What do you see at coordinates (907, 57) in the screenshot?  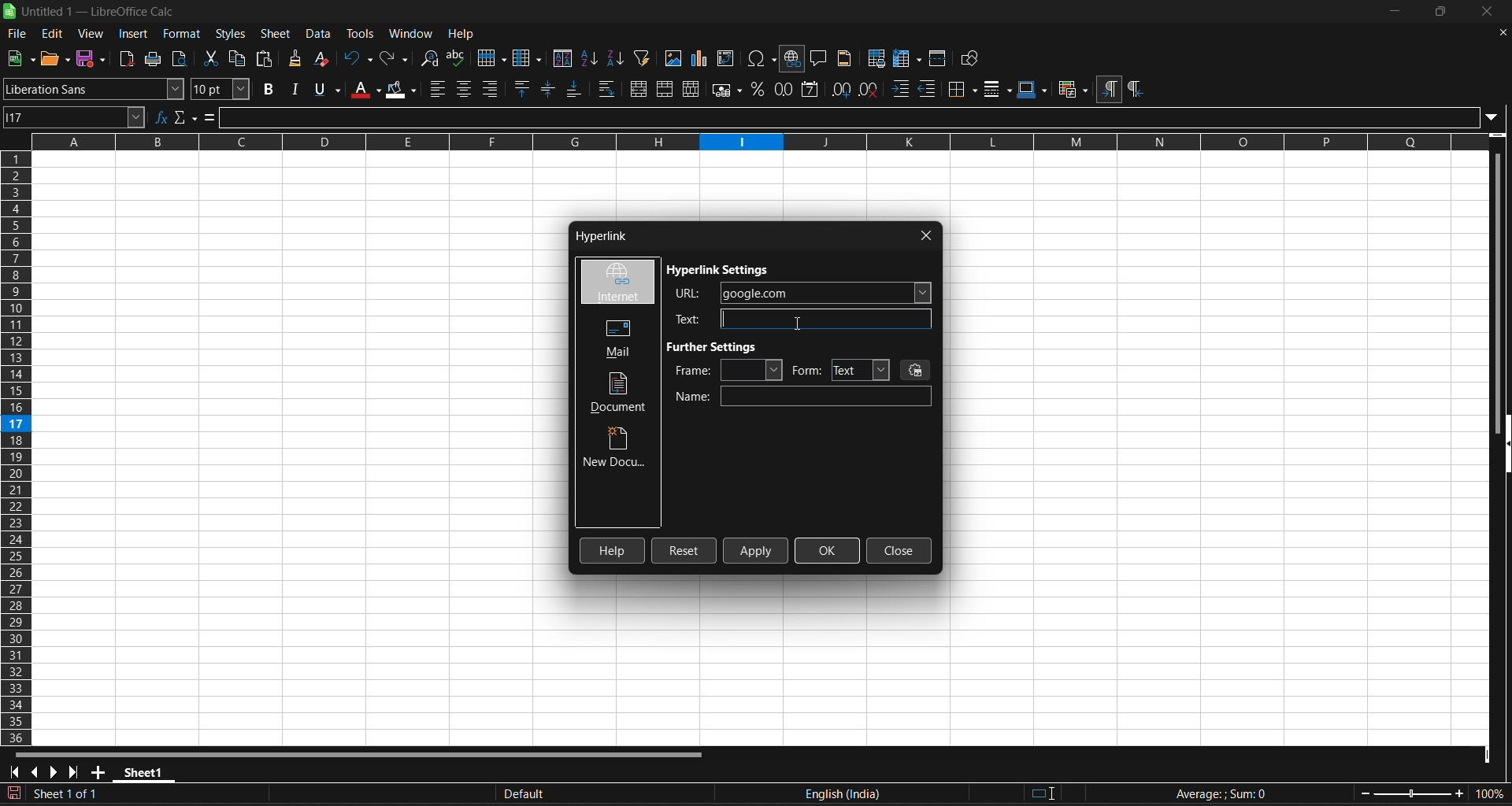 I see `freeze row and column` at bounding box center [907, 57].